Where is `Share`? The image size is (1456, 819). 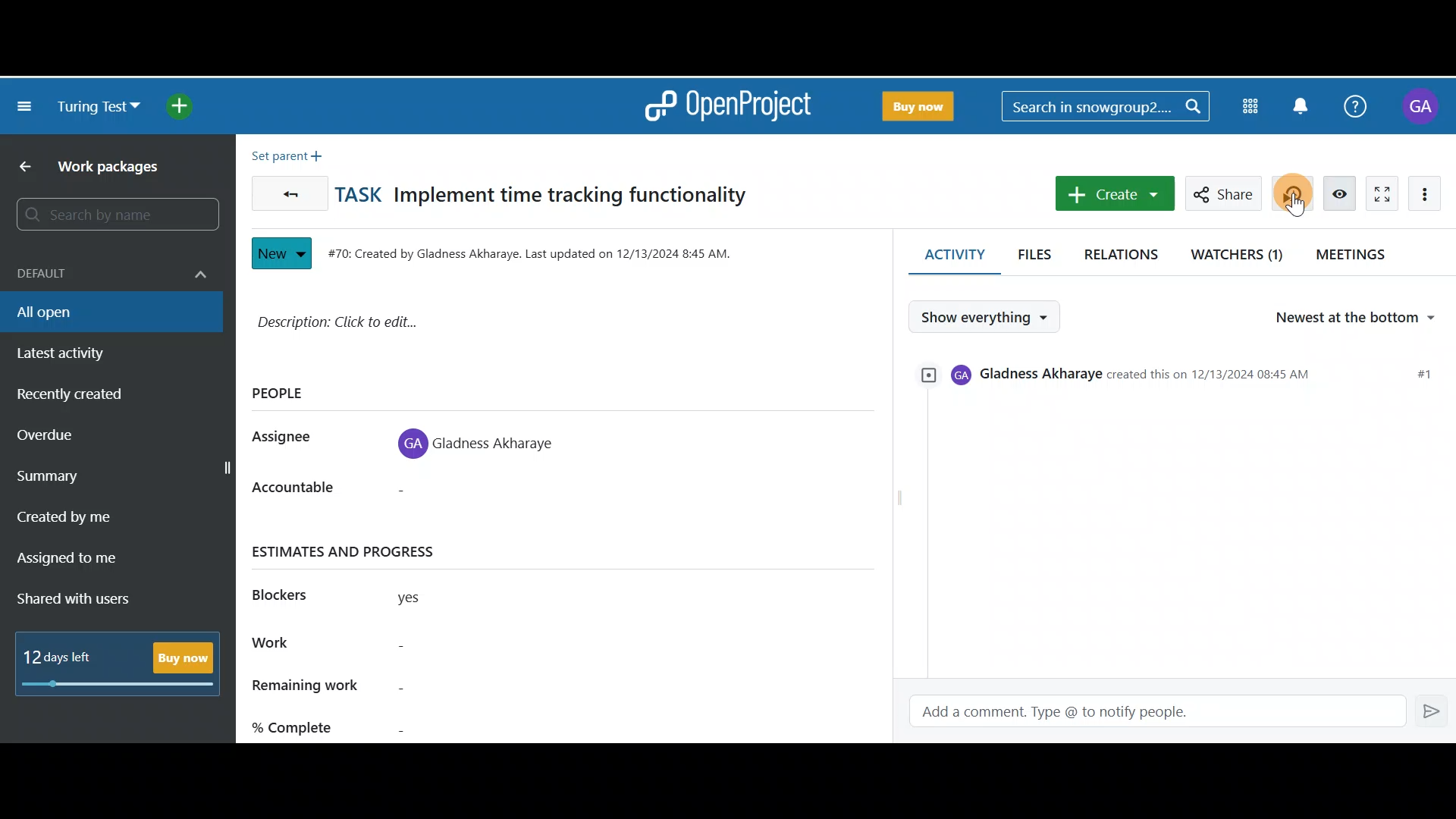
Share is located at coordinates (1224, 193).